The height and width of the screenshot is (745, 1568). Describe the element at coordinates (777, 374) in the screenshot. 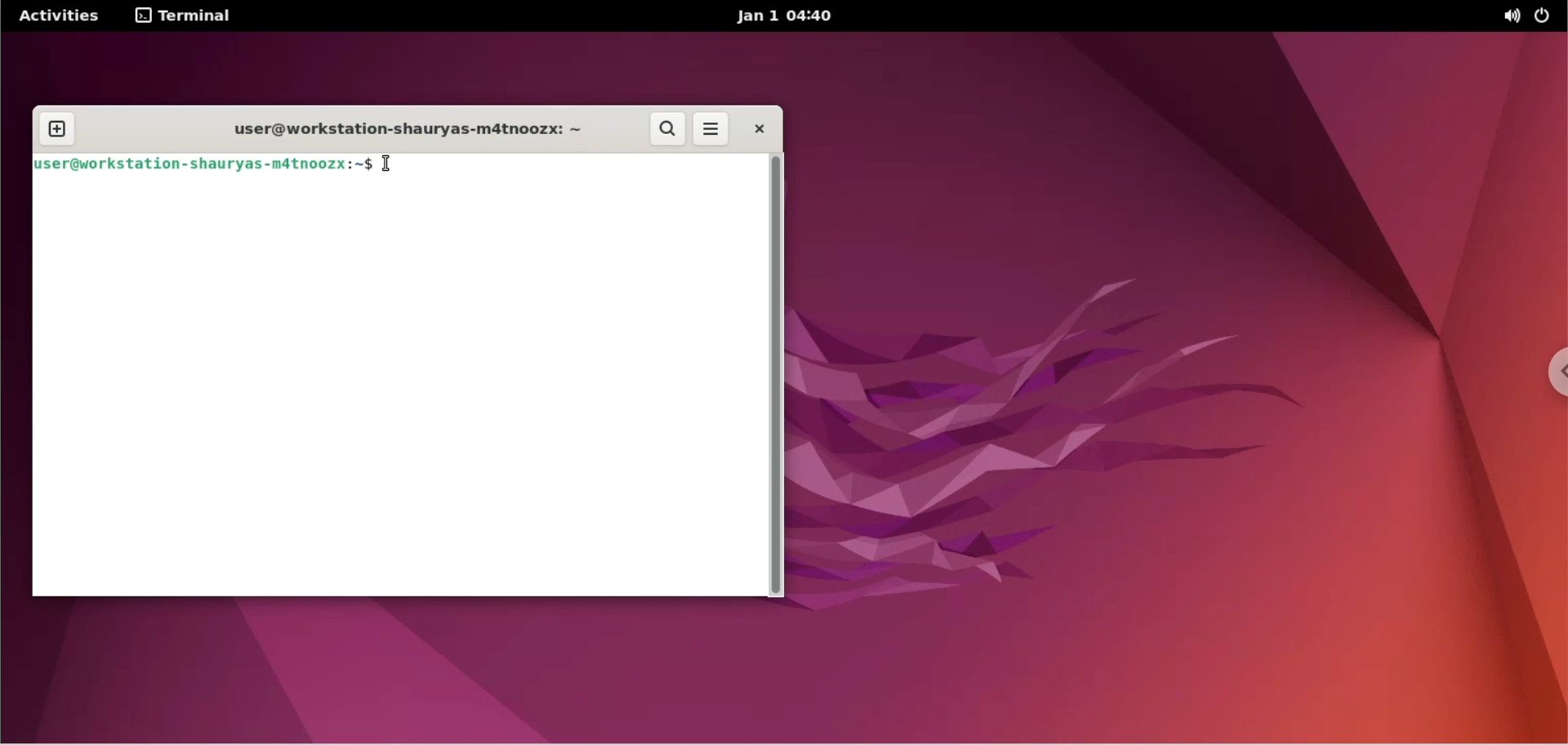

I see `scrollbar` at that location.